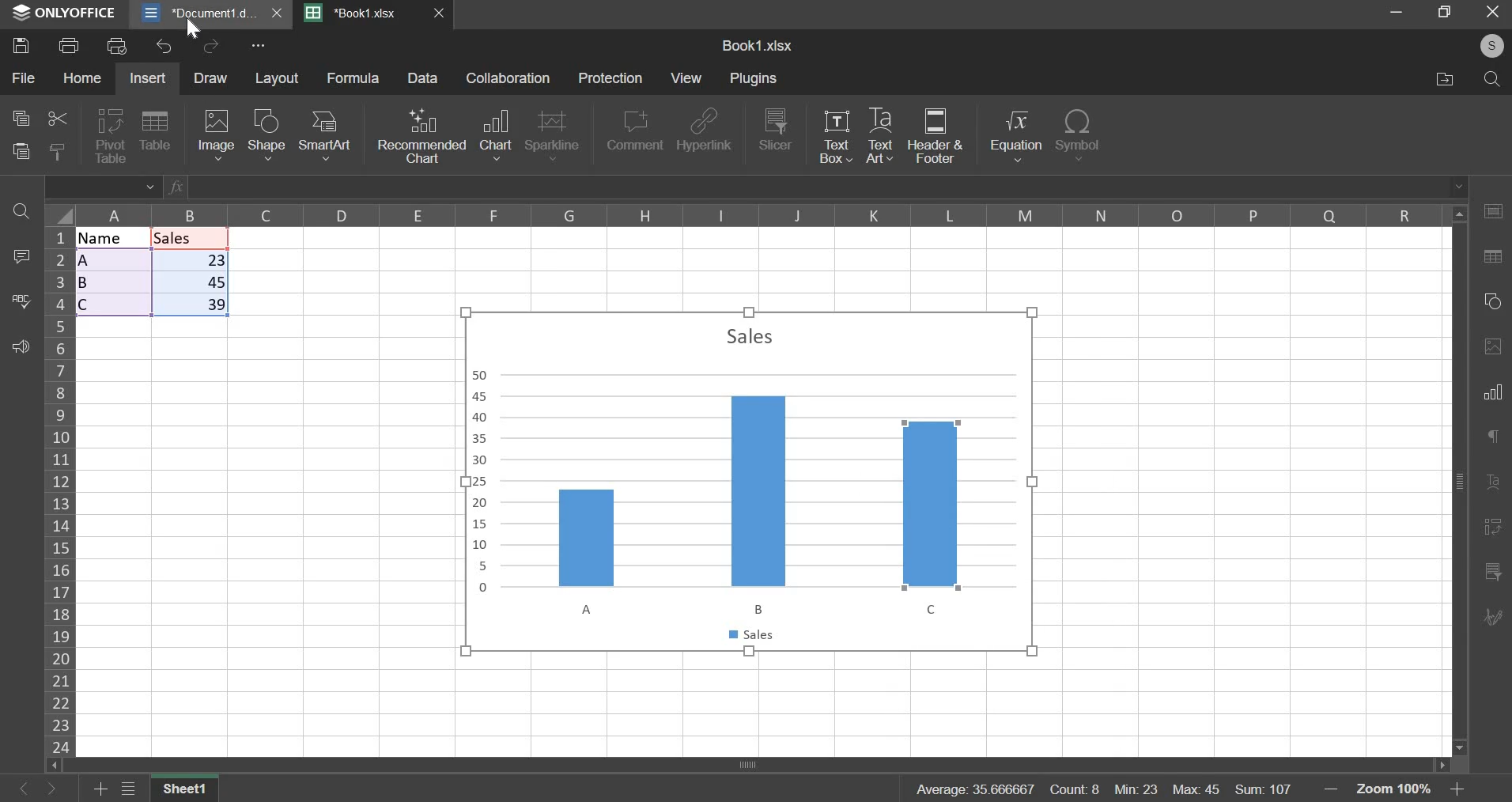 The width and height of the screenshot is (1512, 802). Describe the element at coordinates (634, 133) in the screenshot. I see `comment` at that location.